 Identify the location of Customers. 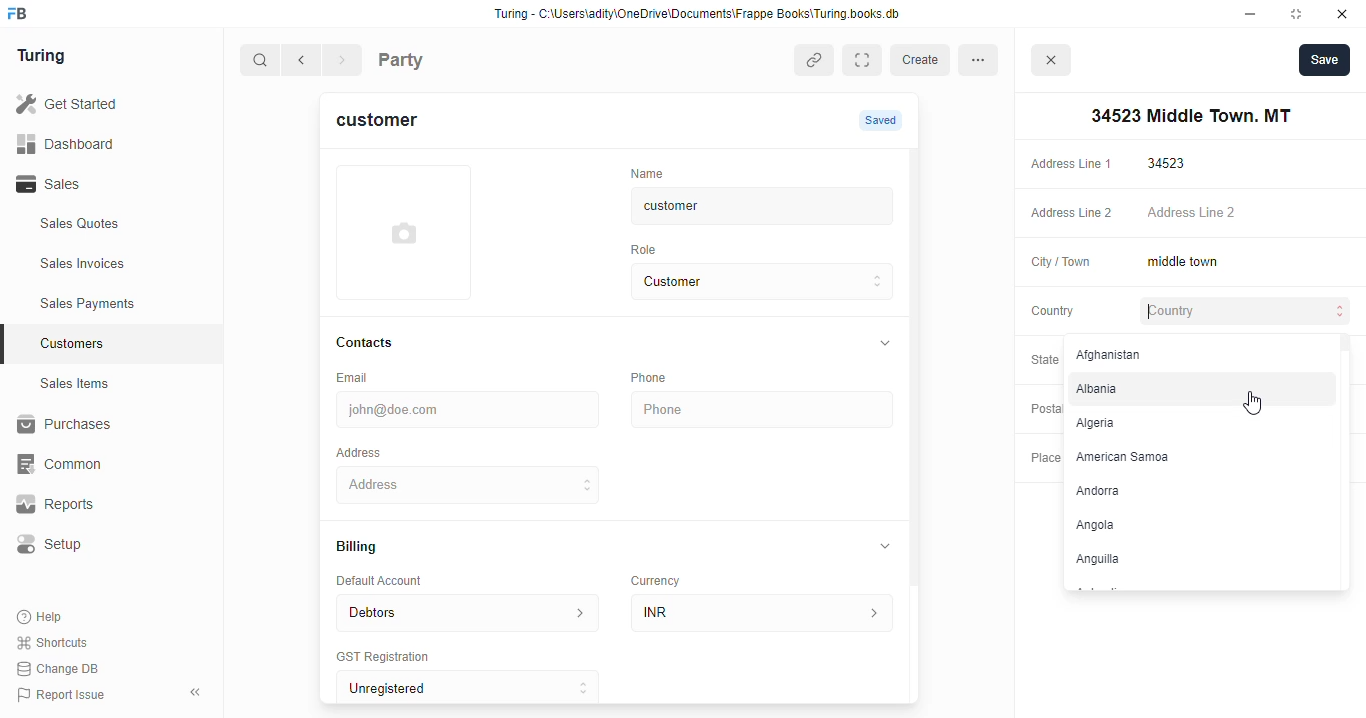
(123, 341).